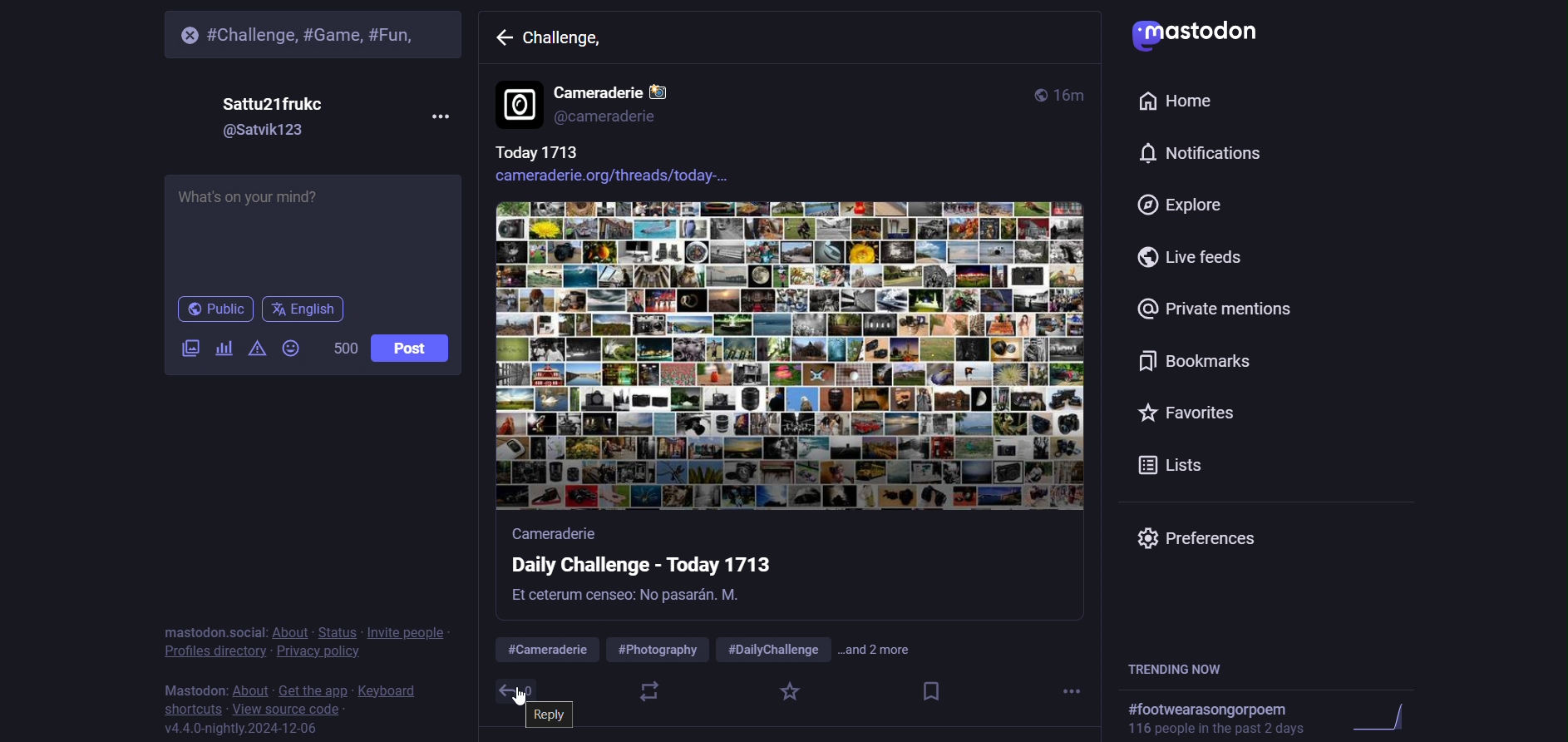 Image resolution: width=1568 pixels, height=742 pixels. What do you see at coordinates (1193, 362) in the screenshot?
I see `bookmark` at bounding box center [1193, 362].